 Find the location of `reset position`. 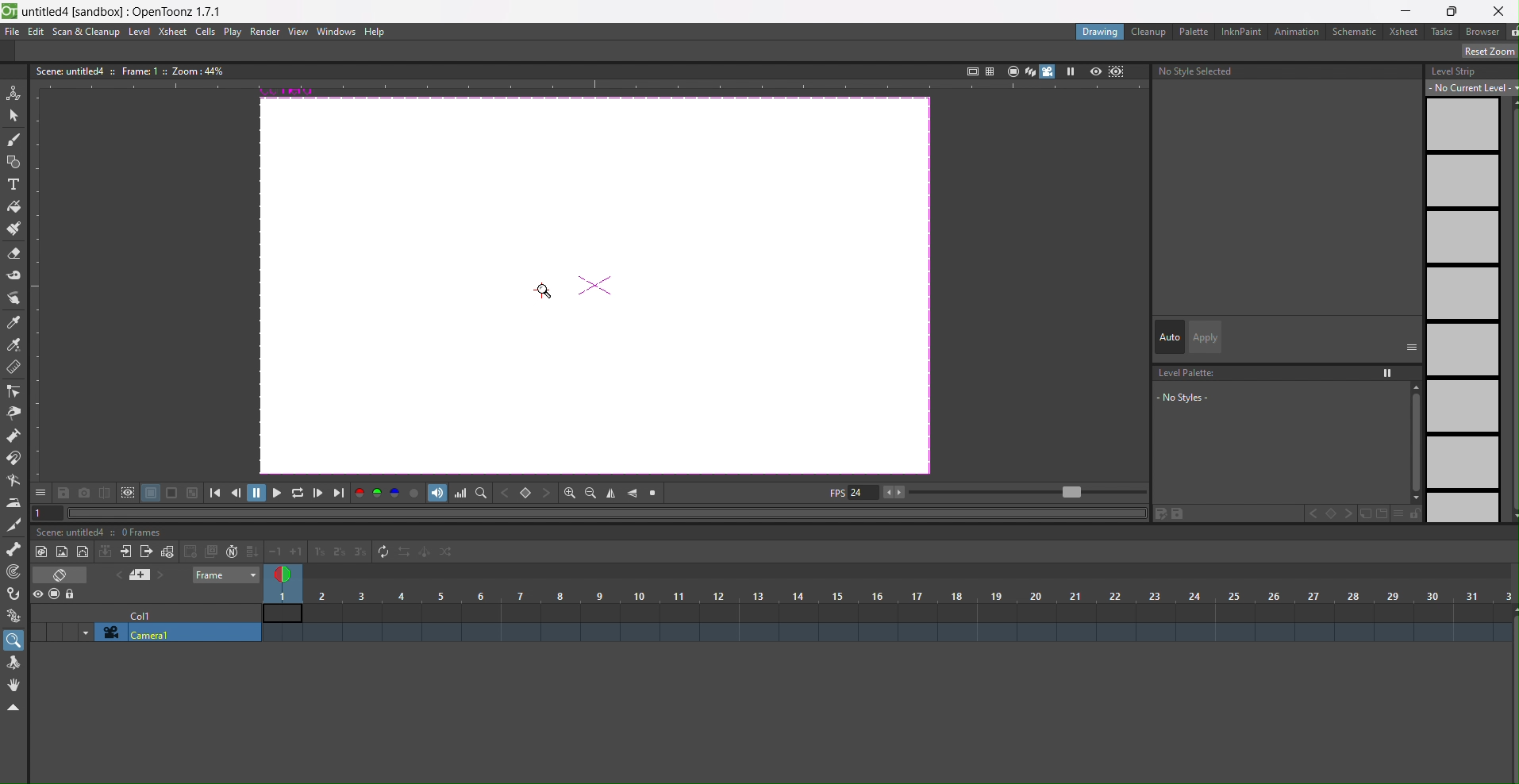

reset position is located at coordinates (1482, 52).